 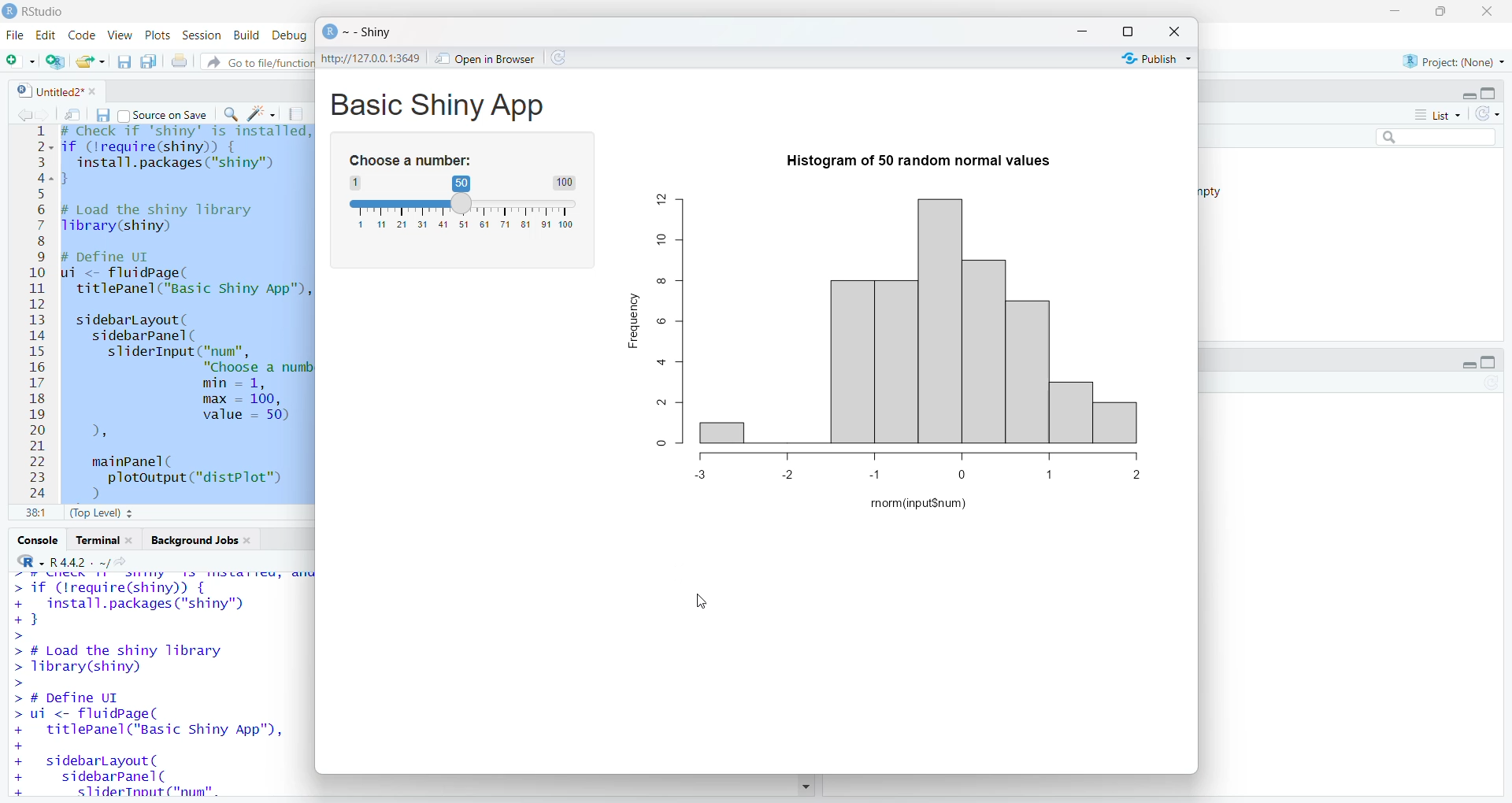 I want to click on values, so click(x=465, y=225).